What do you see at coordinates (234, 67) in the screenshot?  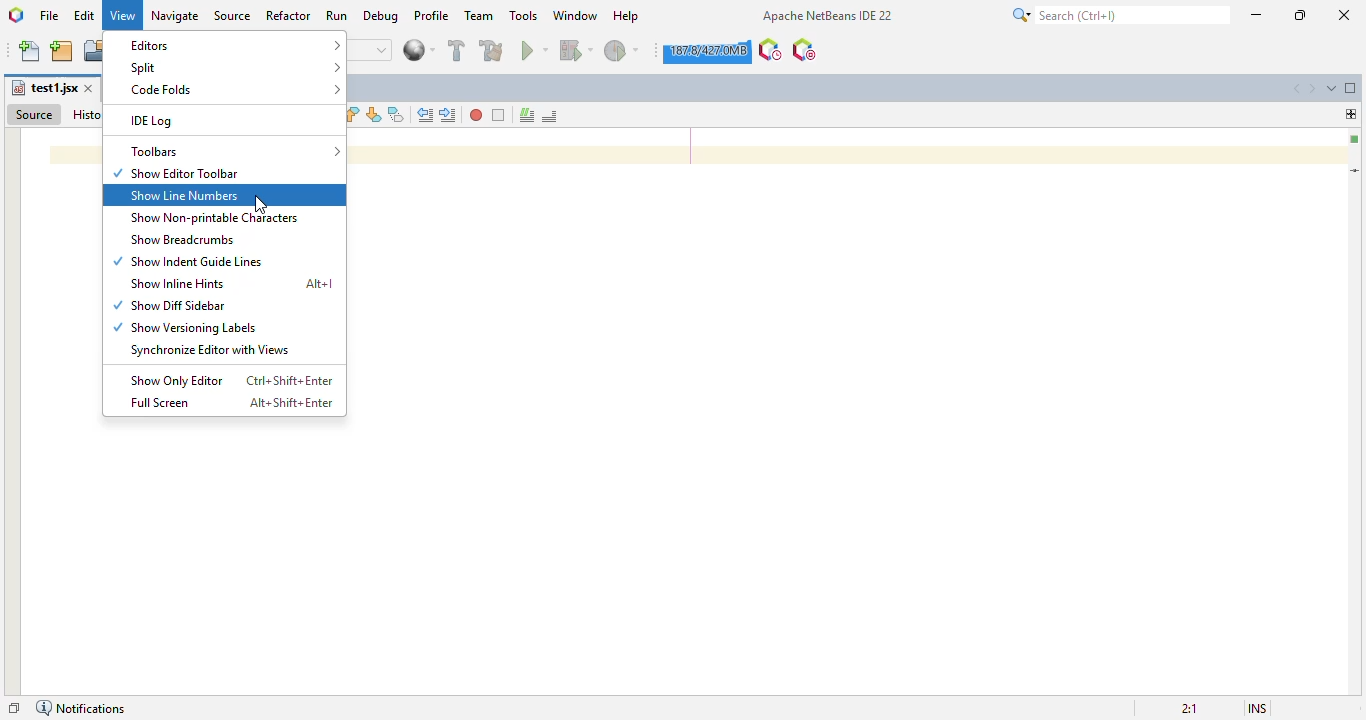 I see `split` at bounding box center [234, 67].